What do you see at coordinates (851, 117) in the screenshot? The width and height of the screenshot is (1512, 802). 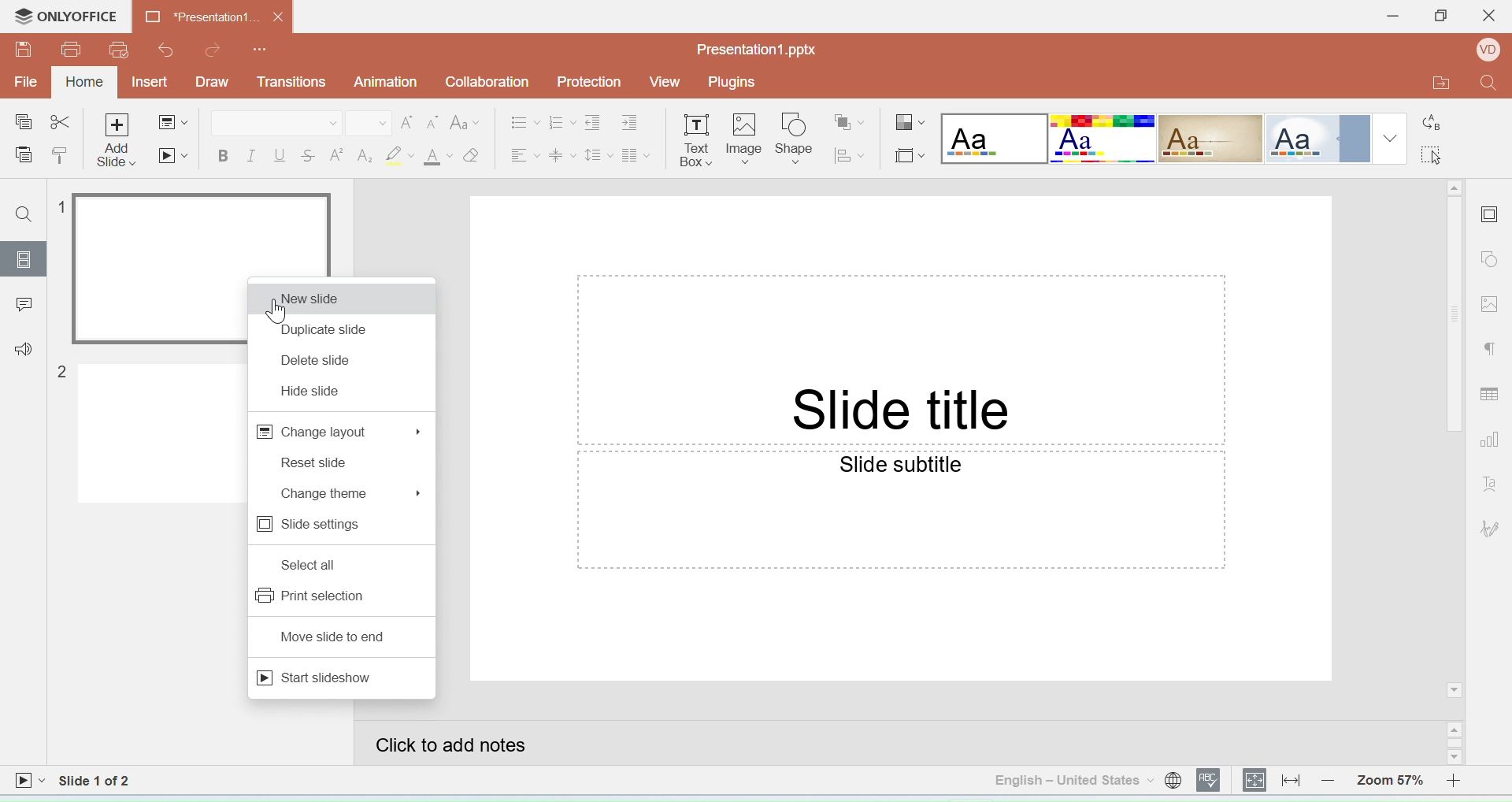 I see `Arrange shape` at bounding box center [851, 117].